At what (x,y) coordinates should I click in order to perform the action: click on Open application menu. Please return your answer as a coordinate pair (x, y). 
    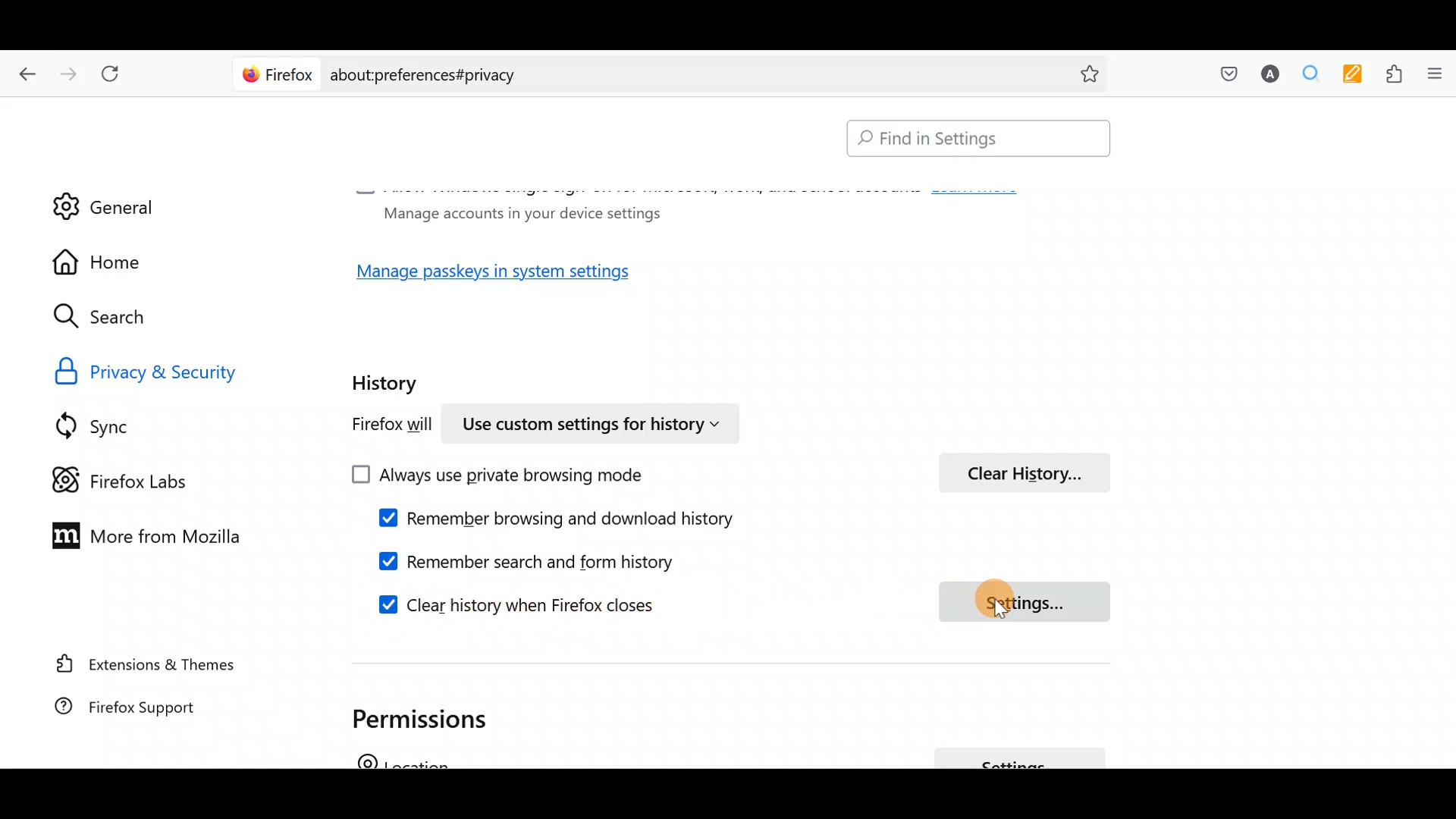
    Looking at the image, I should click on (1433, 75).